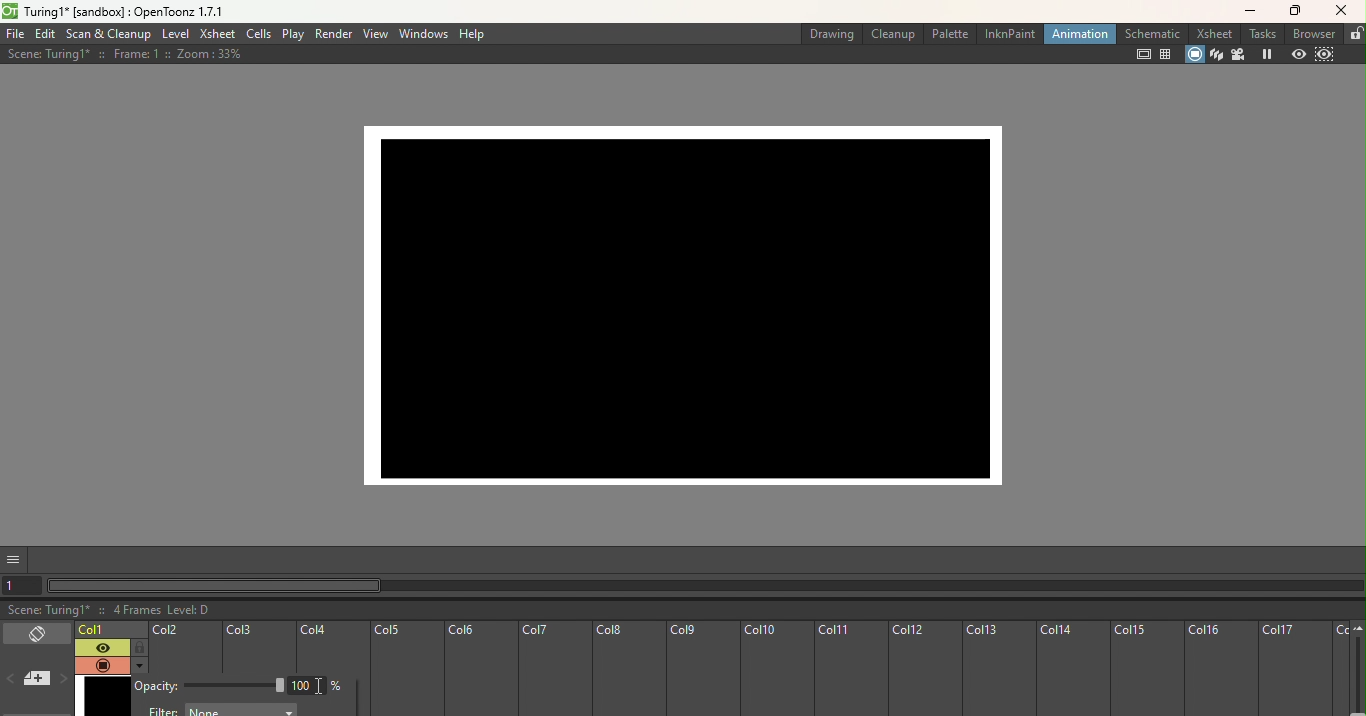  I want to click on Cleanup, so click(892, 33).